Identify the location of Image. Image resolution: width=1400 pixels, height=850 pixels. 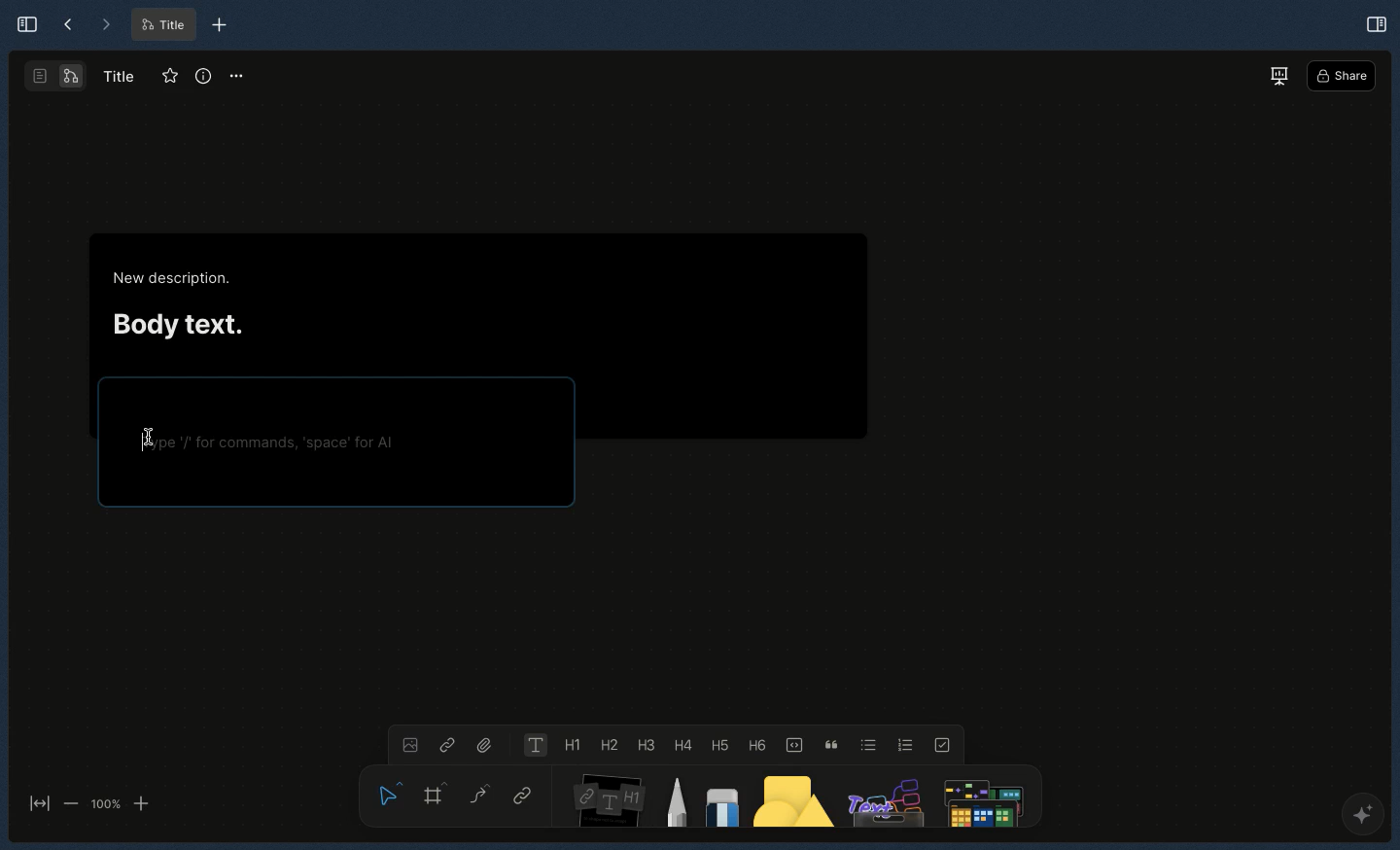
(407, 743).